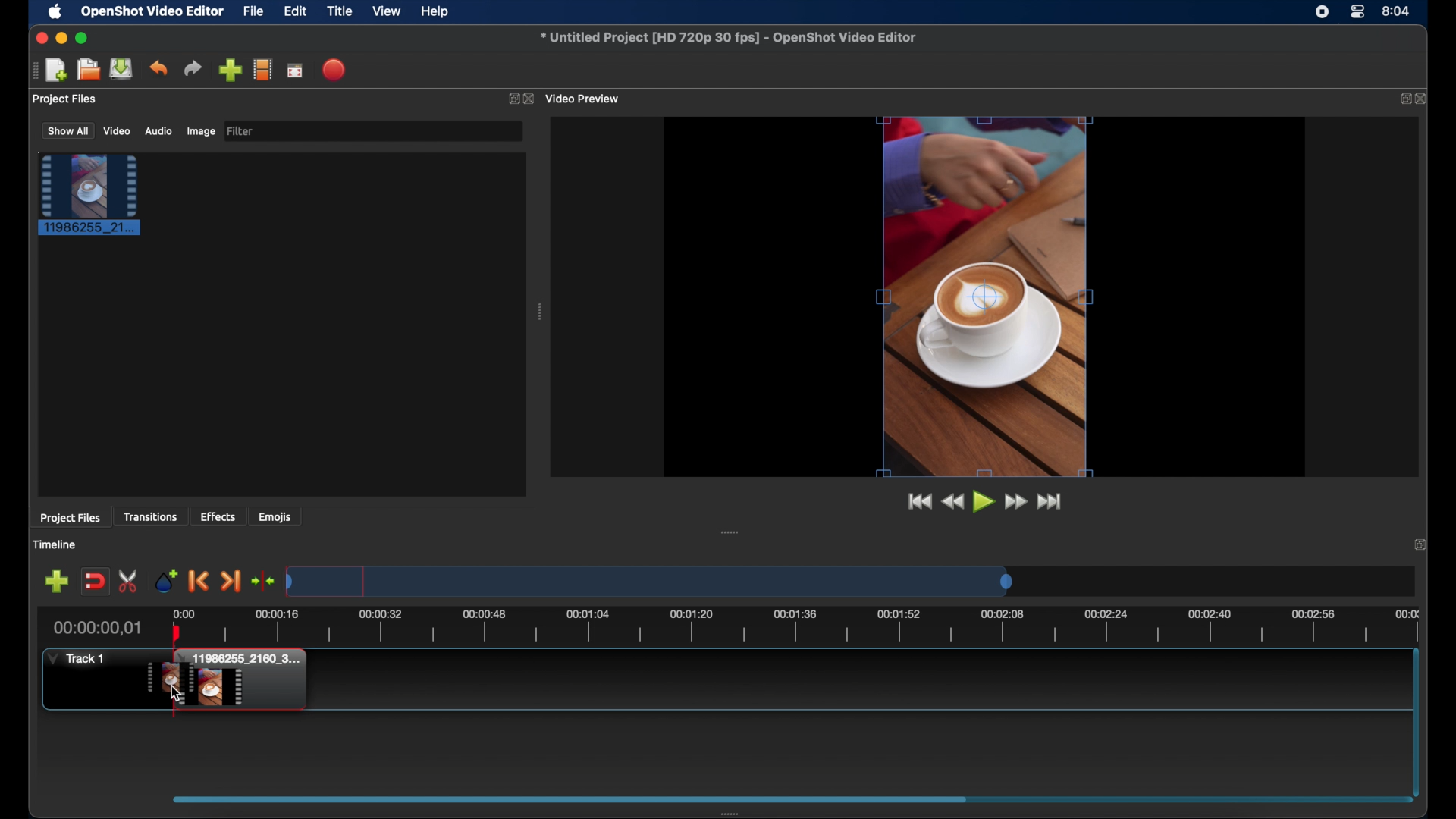  What do you see at coordinates (158, 130) in the screenshot?
I see `audio` at bounding box center [158, 130].